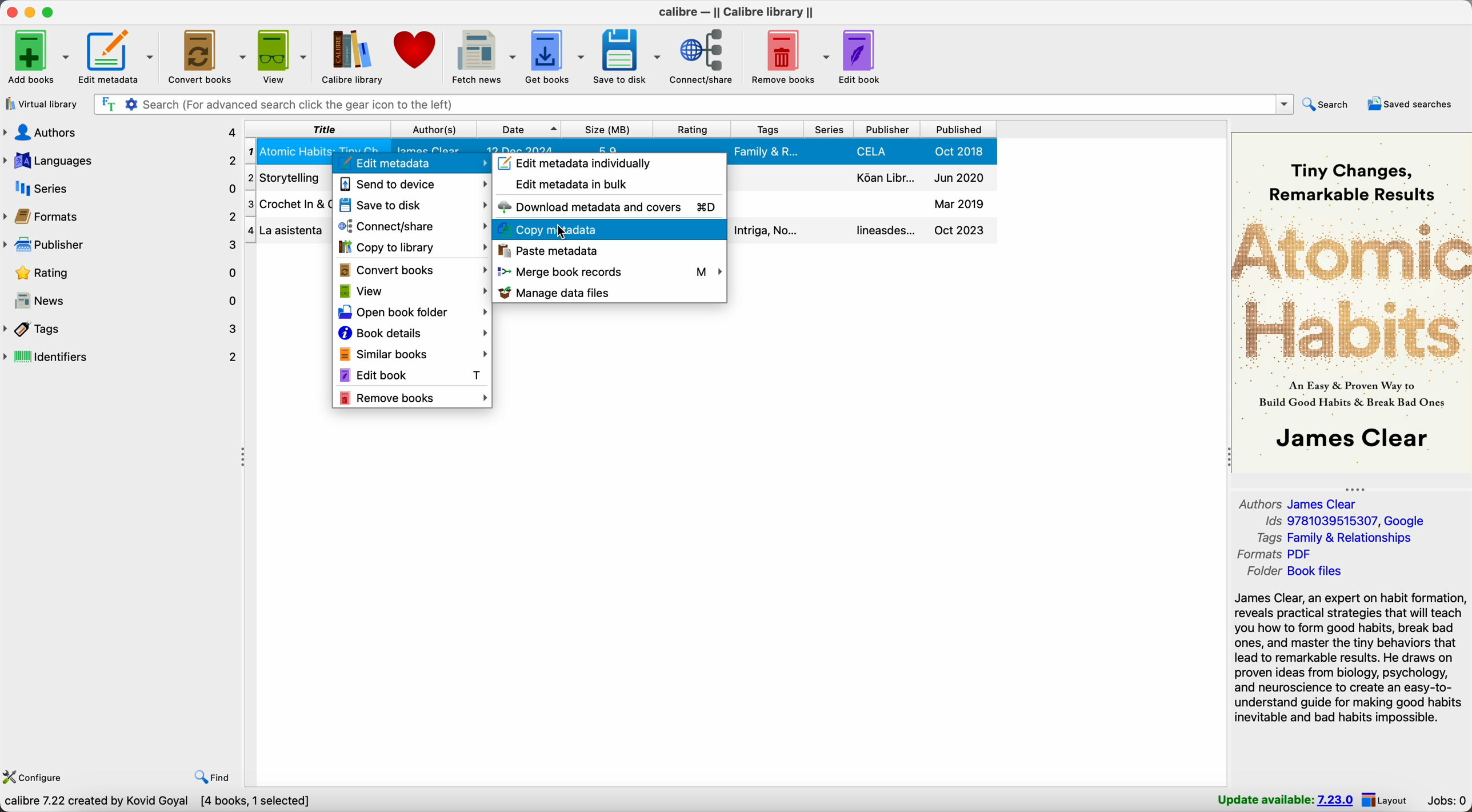 The height and width of the screenshot is (812, 1472). What do you see at coordinates (415, 375) in the screenshot?
I see `edit book` at bounding box center [415, 375].